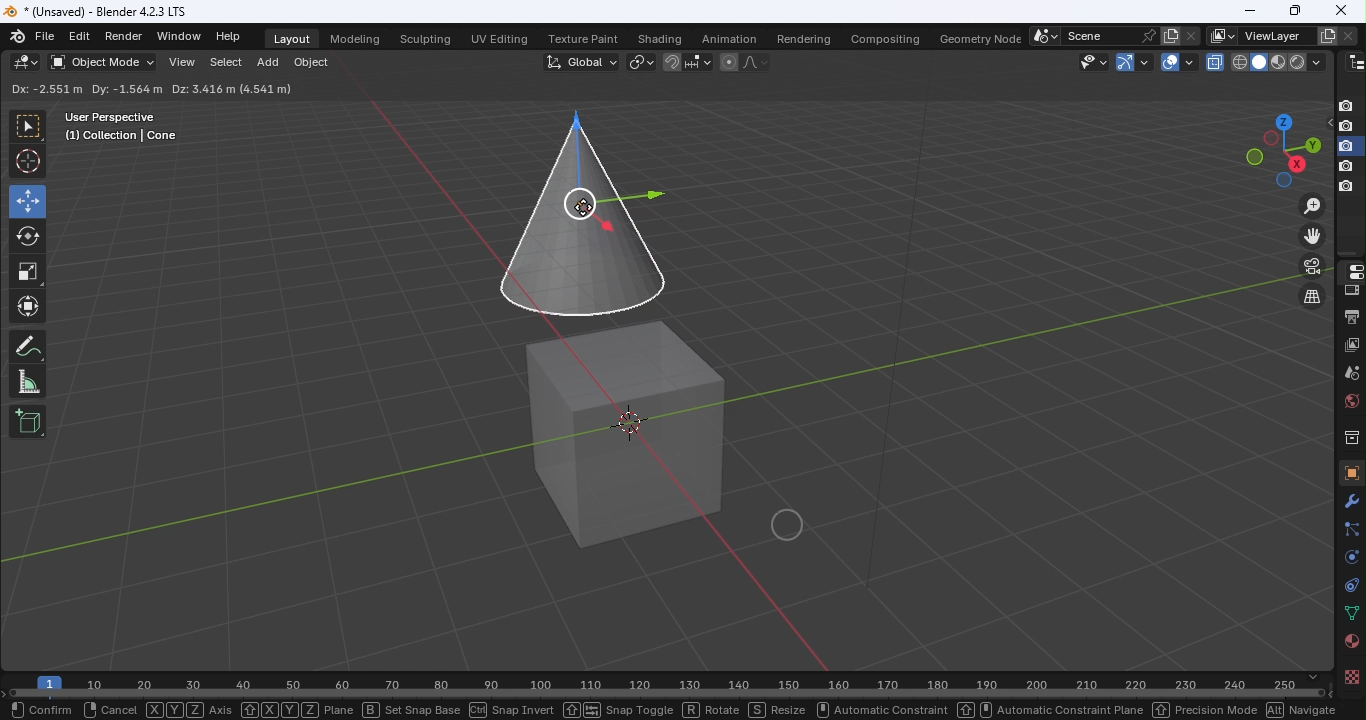 This screenshot has height=720, width=1366. I want to click on New scene, so click(1169, 35).